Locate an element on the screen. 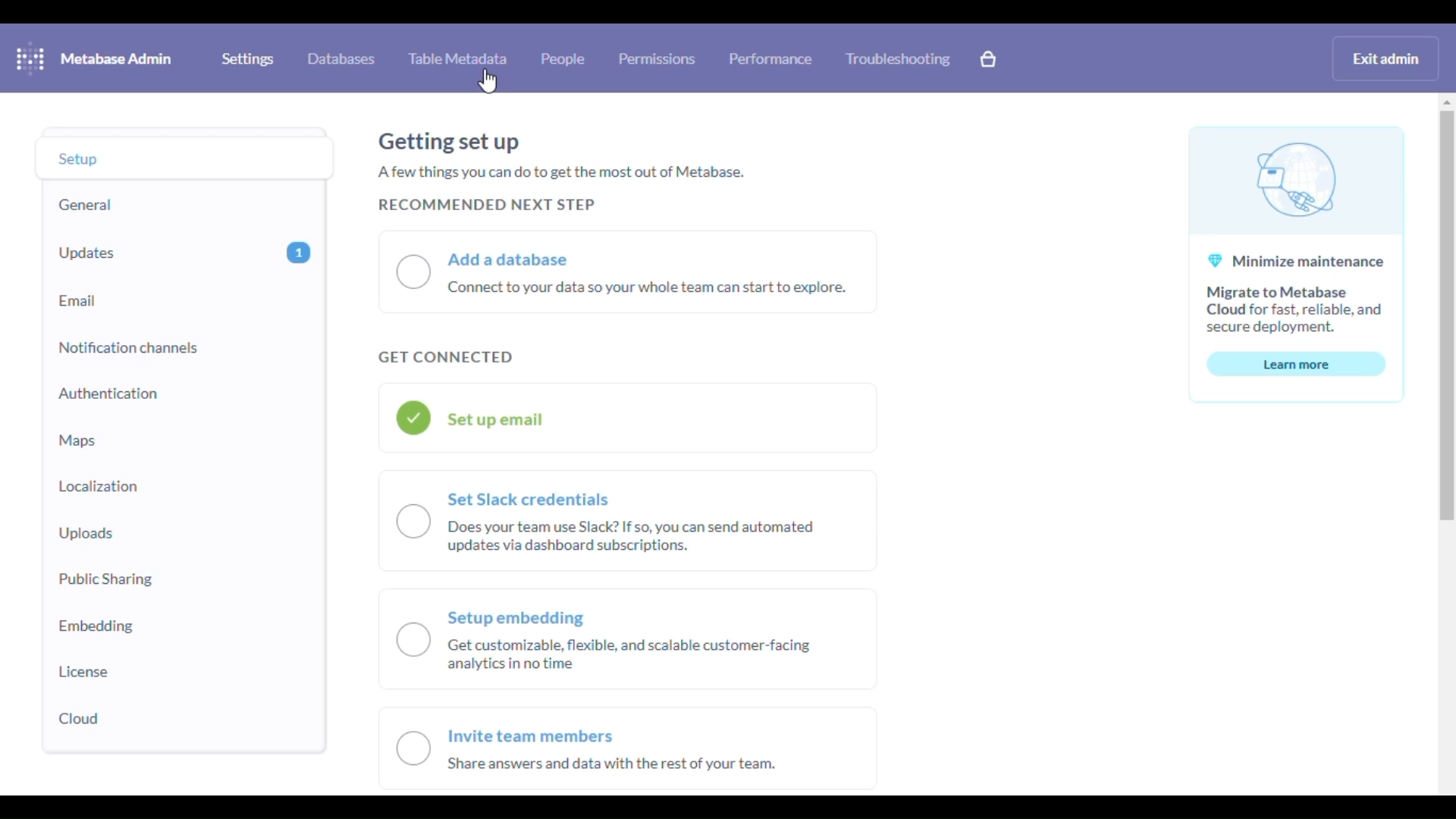 The height and width of the screenshot is (819, 1456). vertical scroll bar is located at coordinates (1444, 316).